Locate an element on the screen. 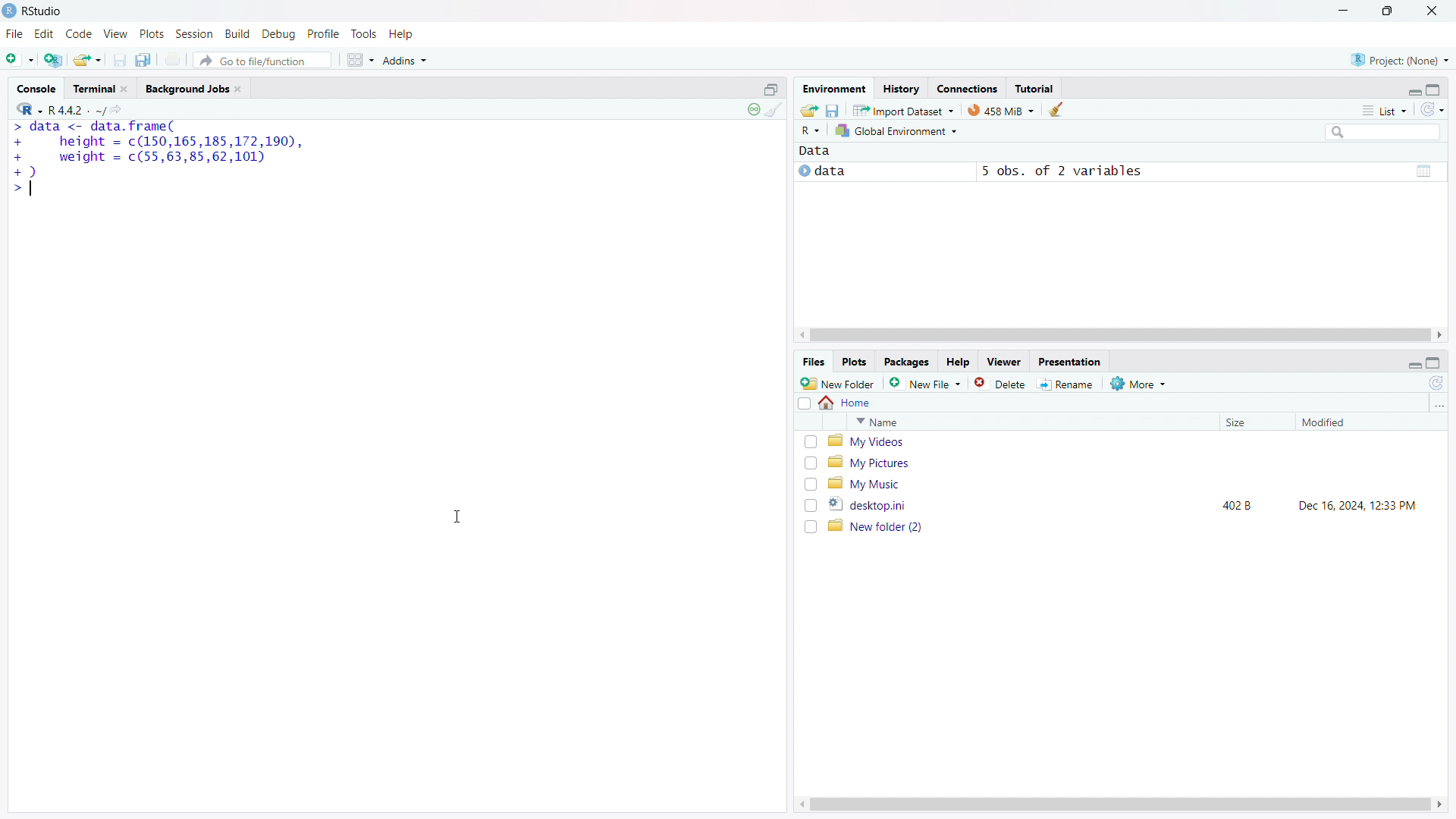 The height and width of the screenshot is (819, 1456). connections is located at coordinates (967, 88).